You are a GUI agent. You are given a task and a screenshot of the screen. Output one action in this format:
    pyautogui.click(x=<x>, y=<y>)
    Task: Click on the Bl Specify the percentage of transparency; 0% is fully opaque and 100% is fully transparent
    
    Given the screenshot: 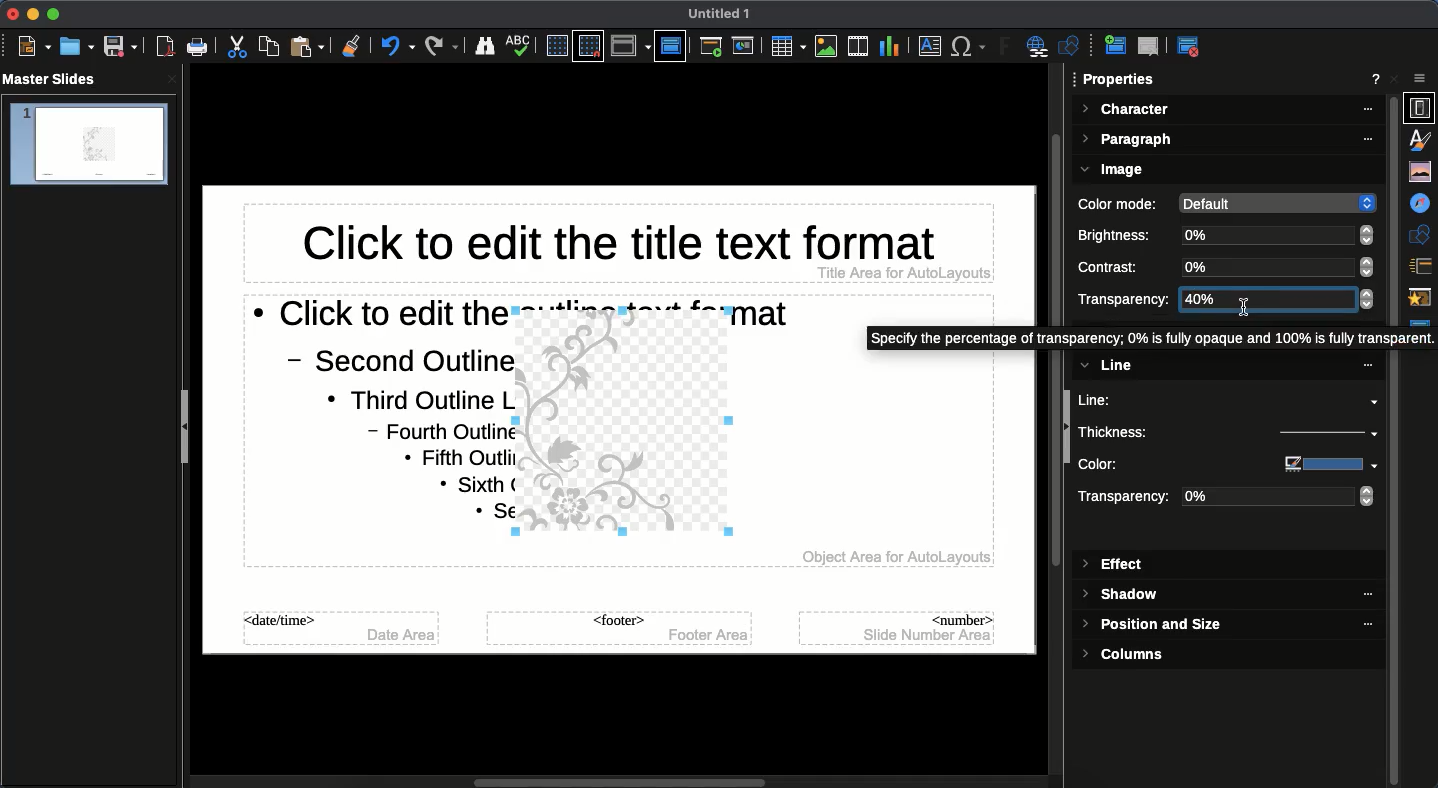 What is the action you would take?
    pyautogui.click(x=1133, y=338)
    